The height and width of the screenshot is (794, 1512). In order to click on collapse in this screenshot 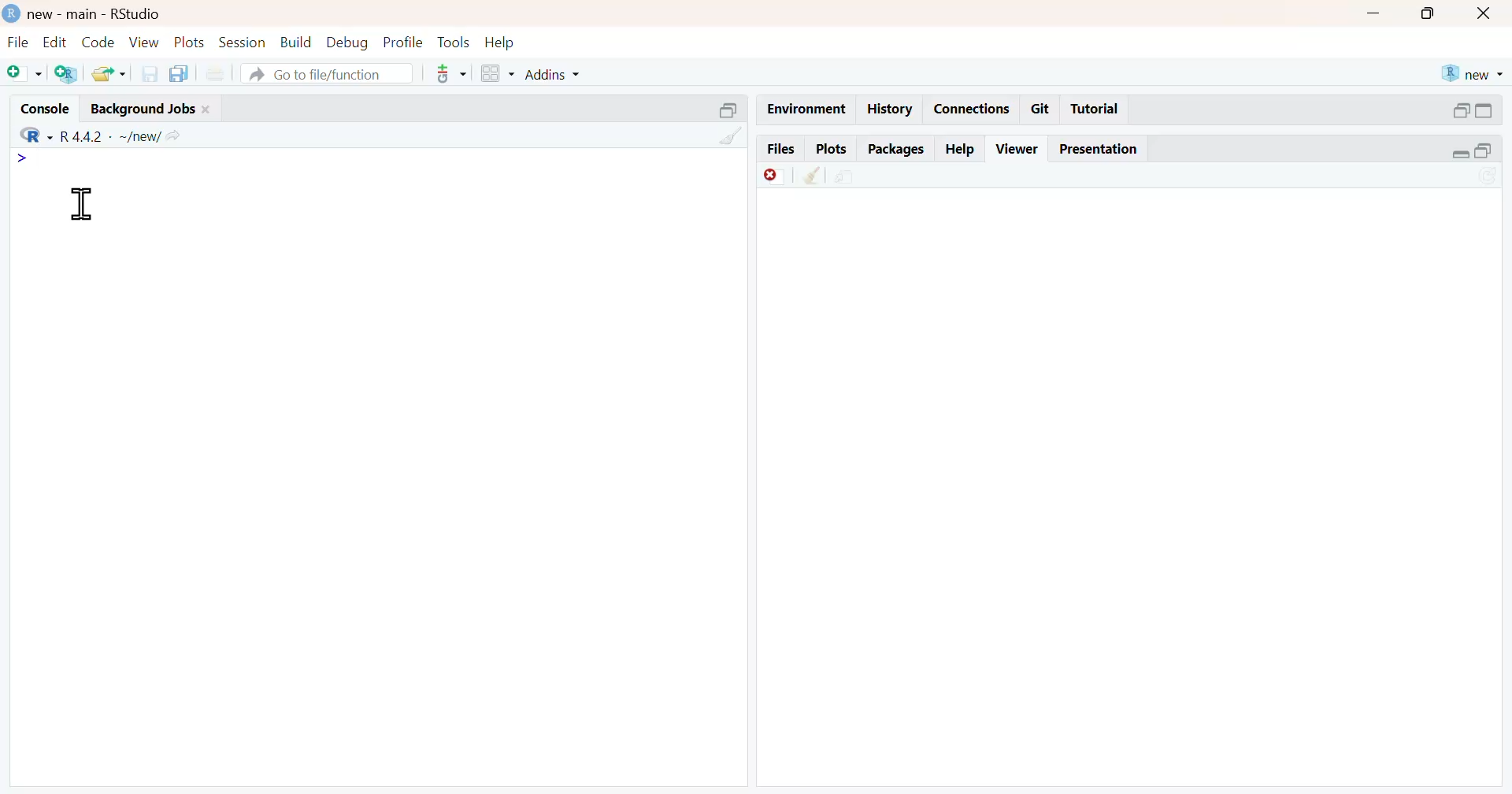, I will do `click(1487, 113)`.